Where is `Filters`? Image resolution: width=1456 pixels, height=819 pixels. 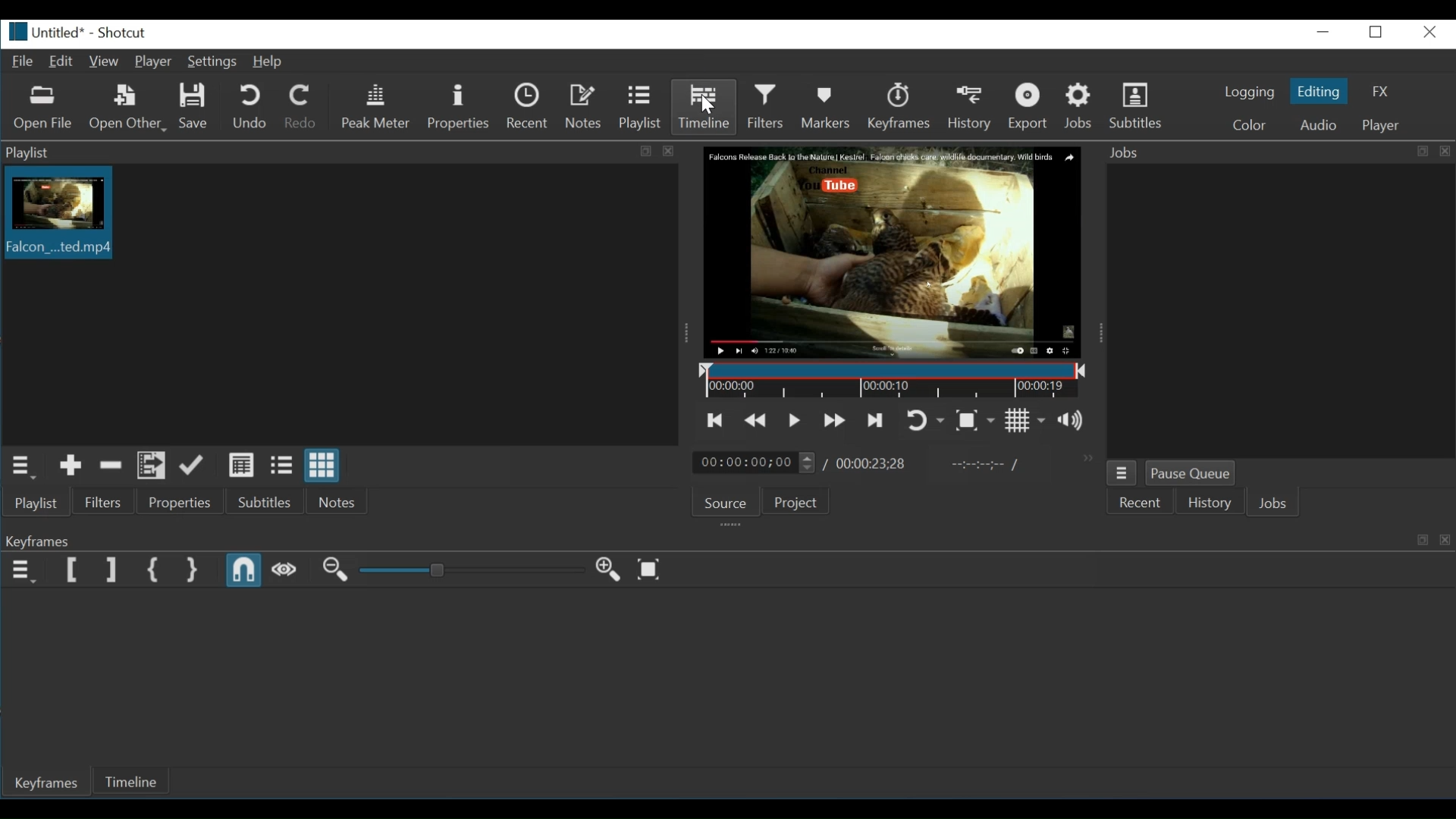 Filters is located at coordinates (106, 502).